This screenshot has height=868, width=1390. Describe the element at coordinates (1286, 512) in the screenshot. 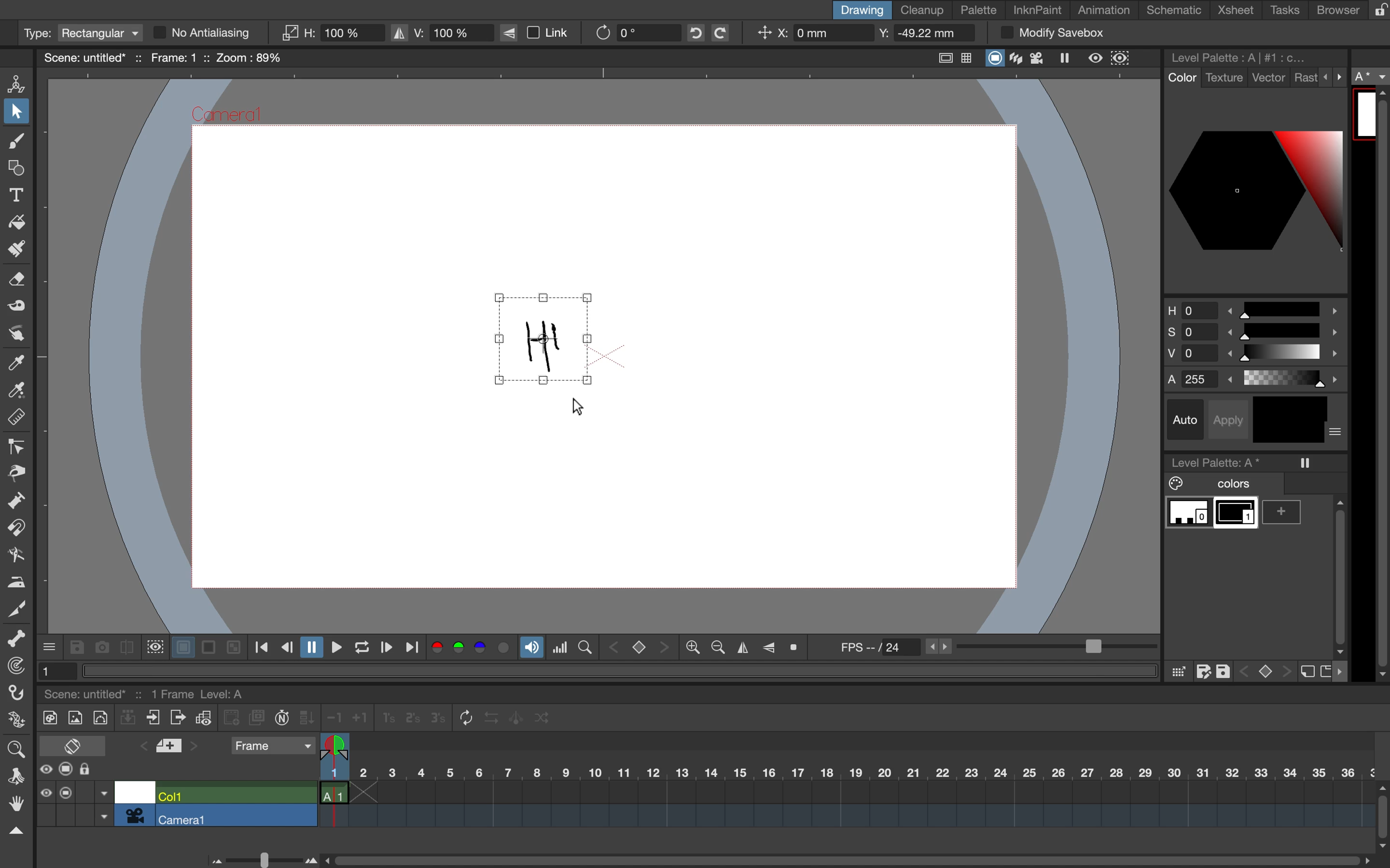

I see `add color` at that location.